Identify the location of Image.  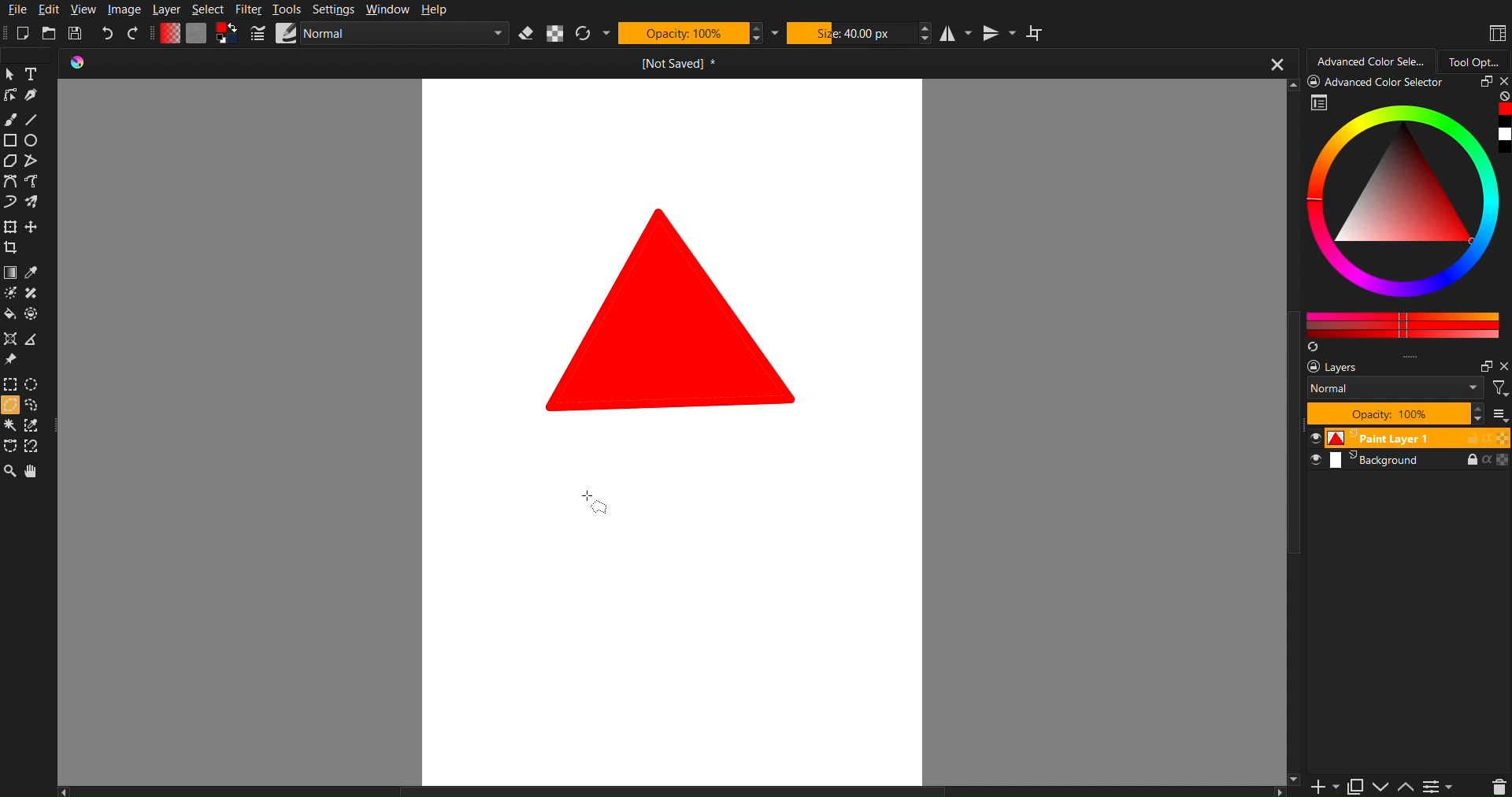
(125, 8).